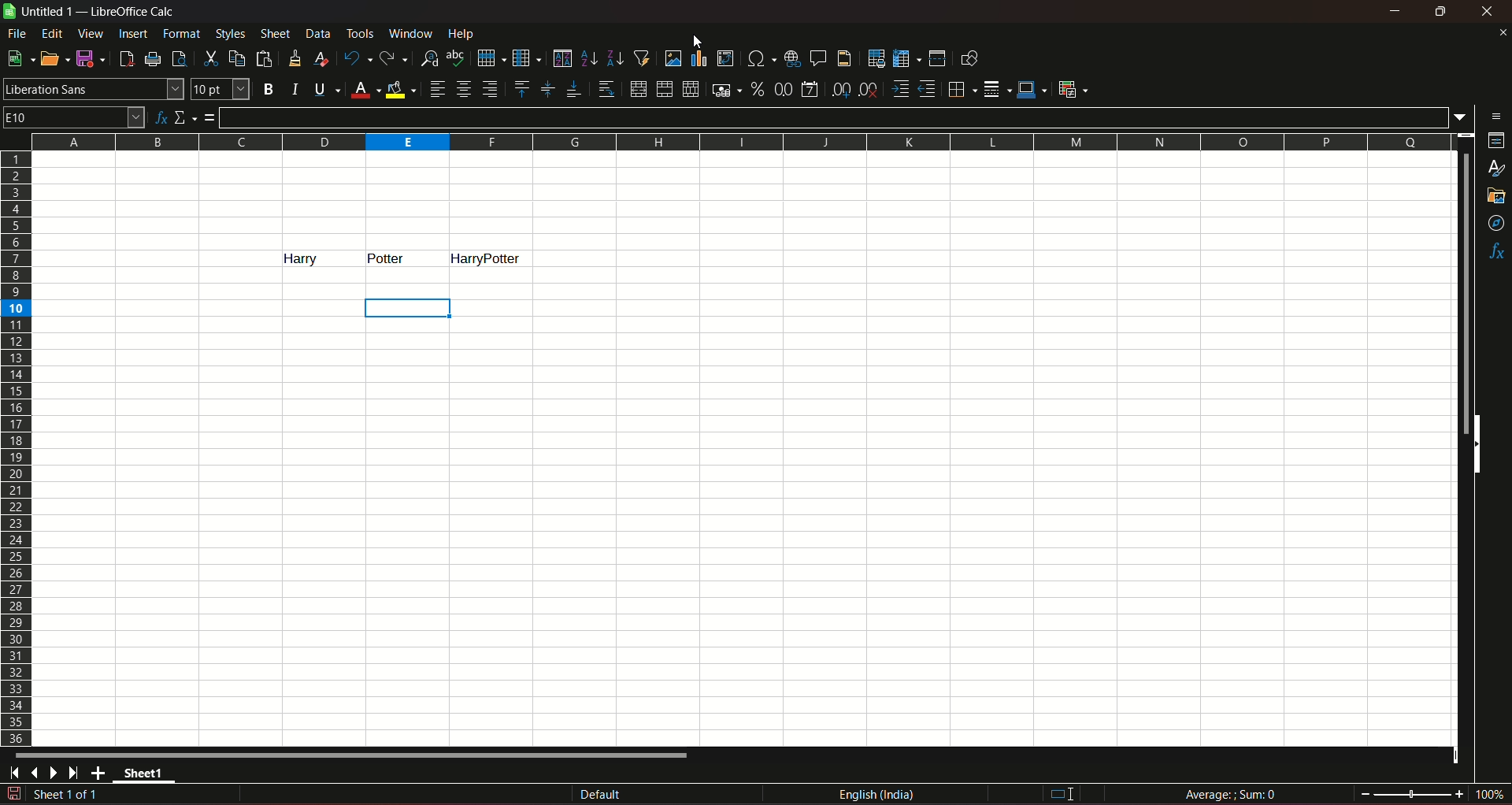 The image size is (1512, 805). I want to click on font size, so click(218, 90).